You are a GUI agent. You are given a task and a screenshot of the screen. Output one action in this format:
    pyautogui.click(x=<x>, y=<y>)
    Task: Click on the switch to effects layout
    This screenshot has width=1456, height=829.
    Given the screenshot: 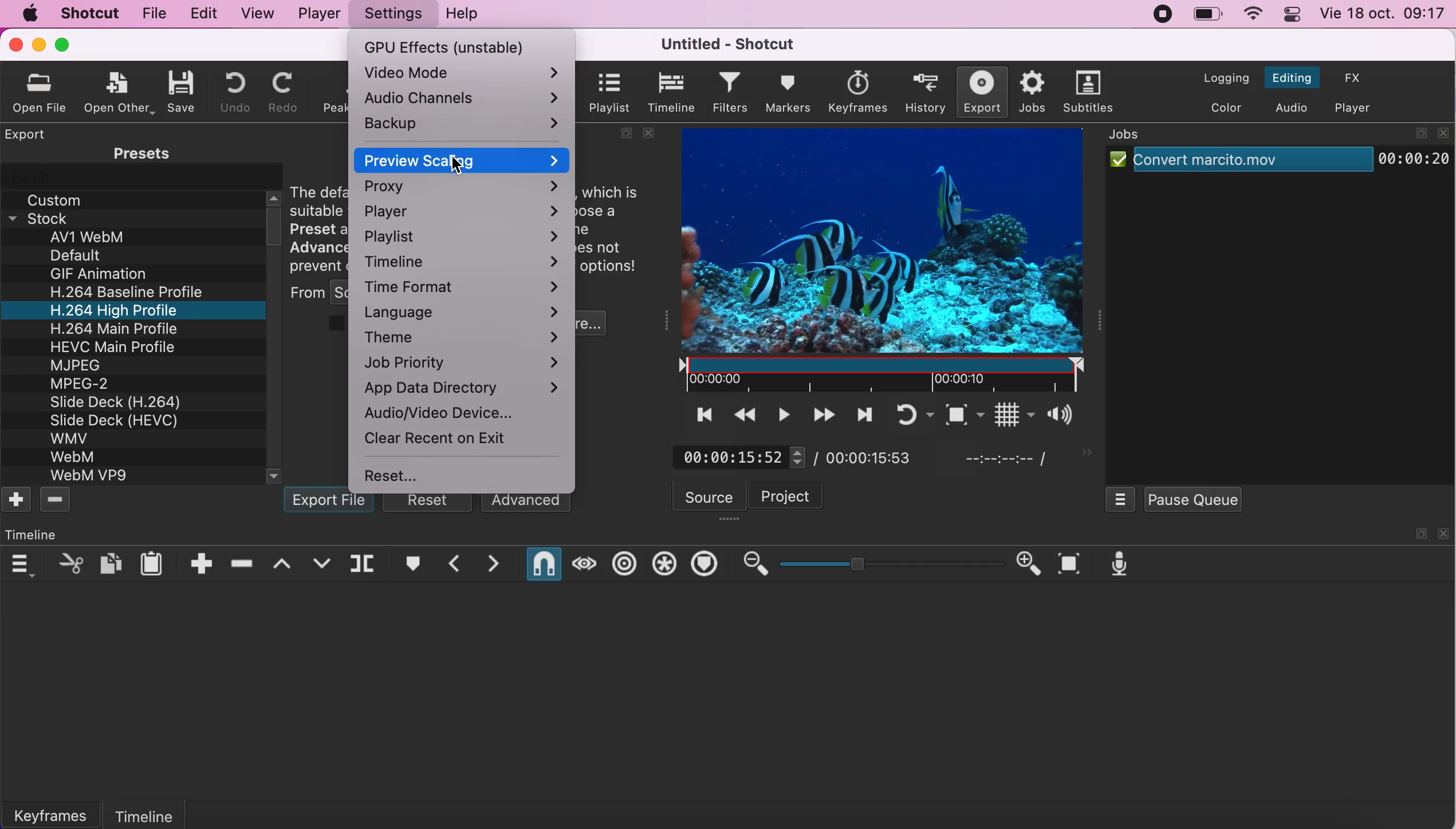 What is the action you would take?
    pyautogui.click(x=1355, y=77)
    